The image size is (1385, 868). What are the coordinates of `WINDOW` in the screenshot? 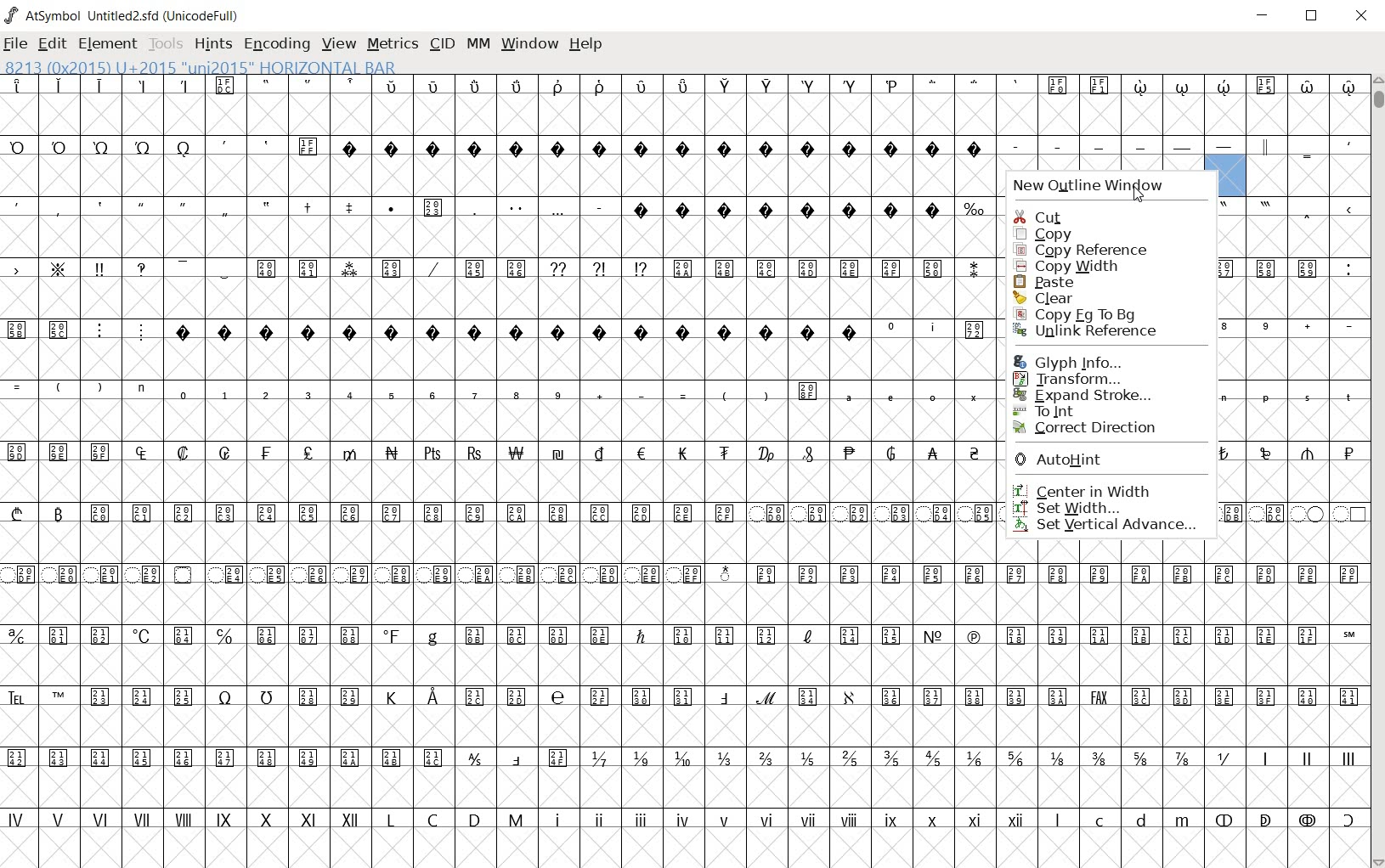 It's located at (531, 43).